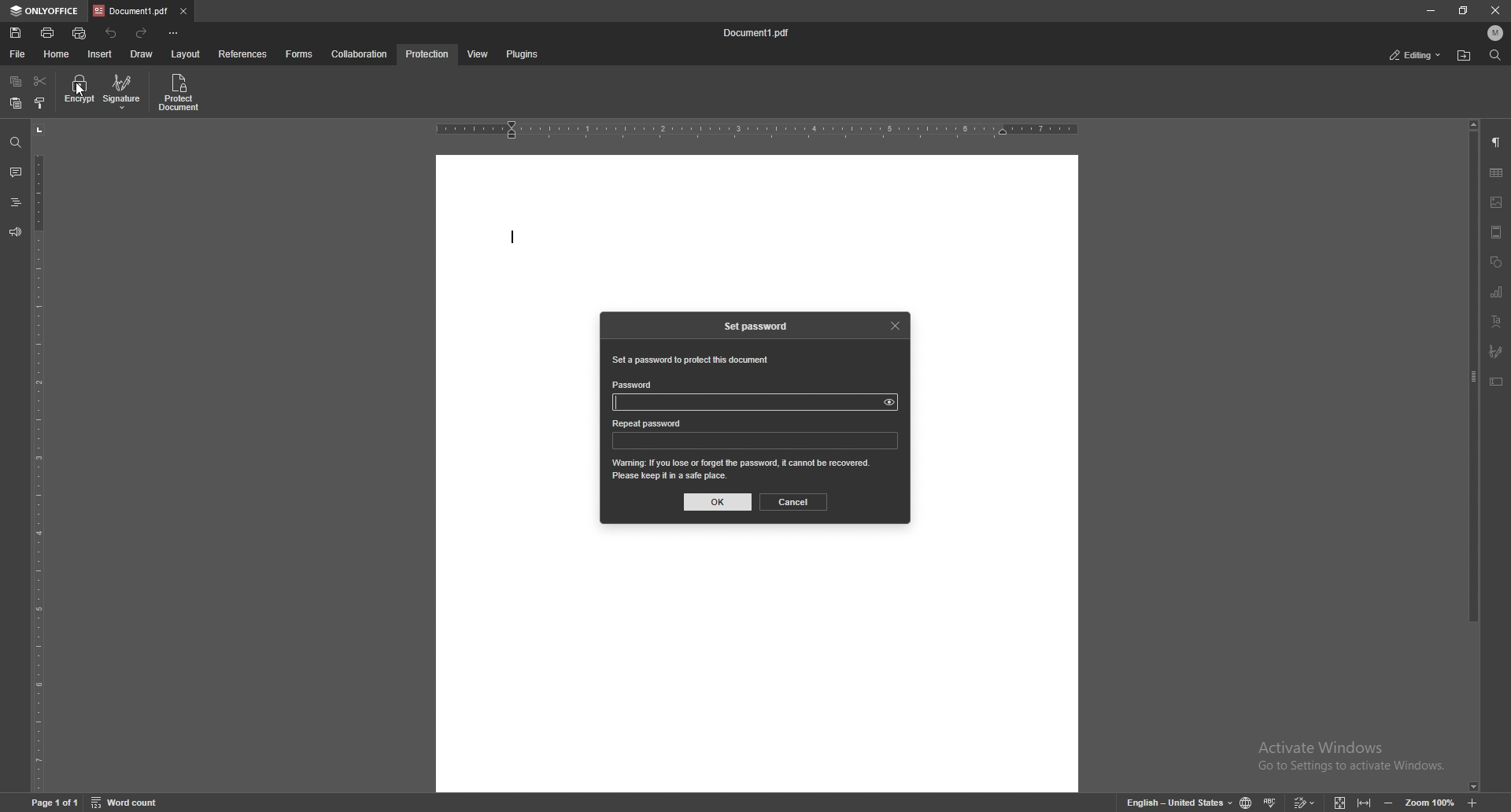  What do you see at coordinates (1497, 202) in the screenshot?
I see `image` at bounding box center [1497, 202].